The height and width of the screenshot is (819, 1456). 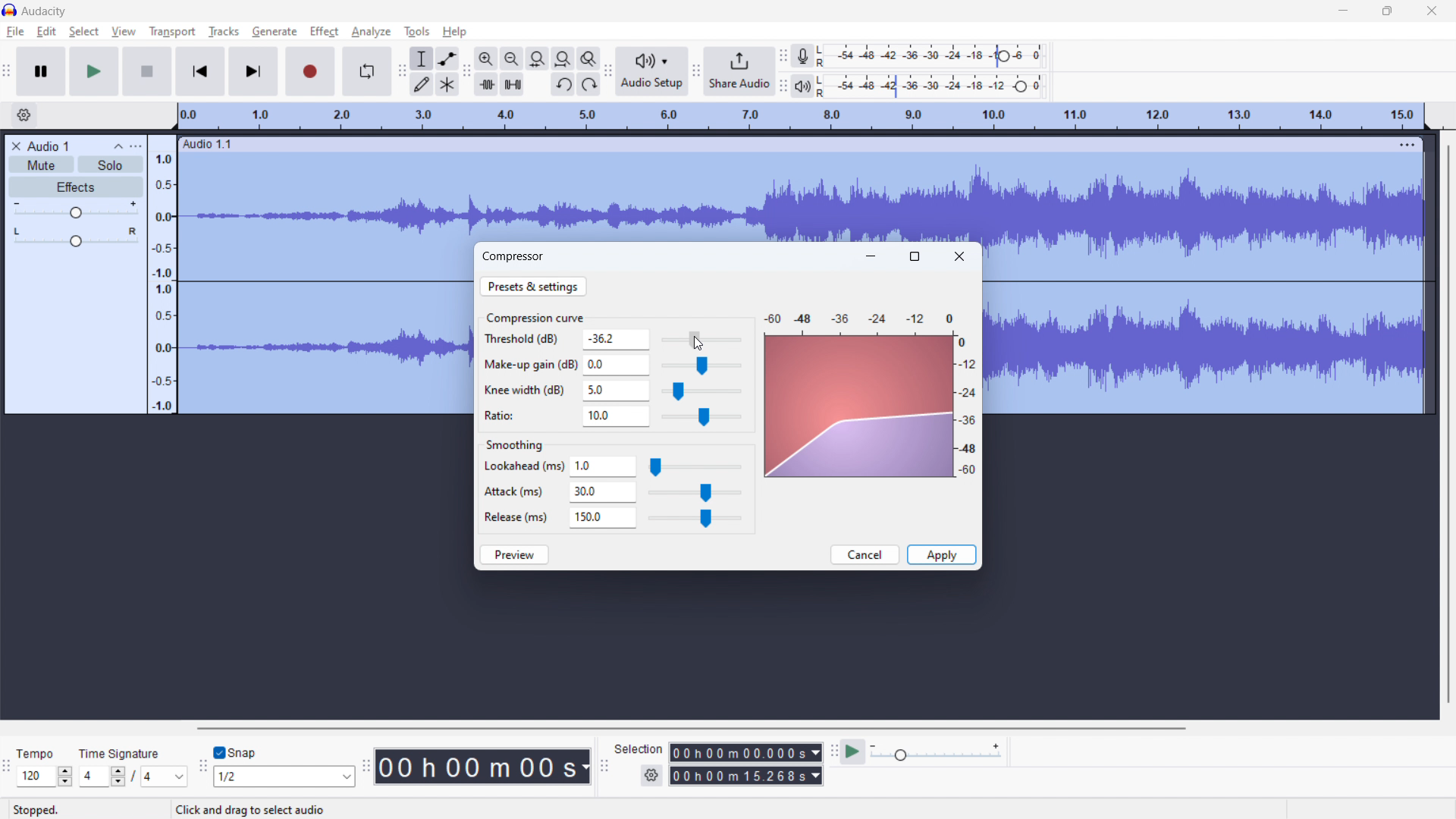 I want to click on attack slider, so click(x=695, y=494).